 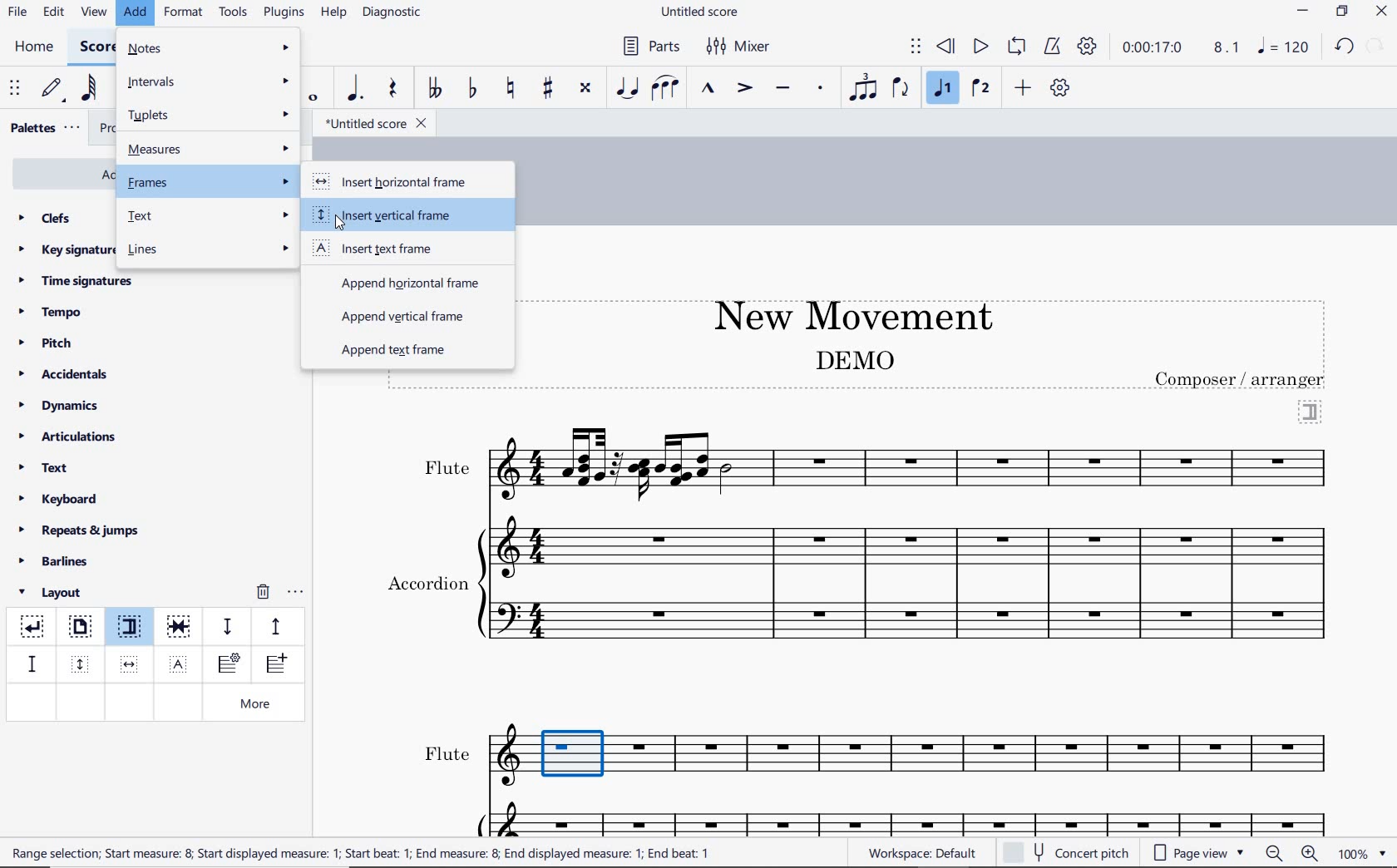 What do you see at coordinates (702, 12) in the screenshot?
I see `file name` at bounding box center [702, 12].